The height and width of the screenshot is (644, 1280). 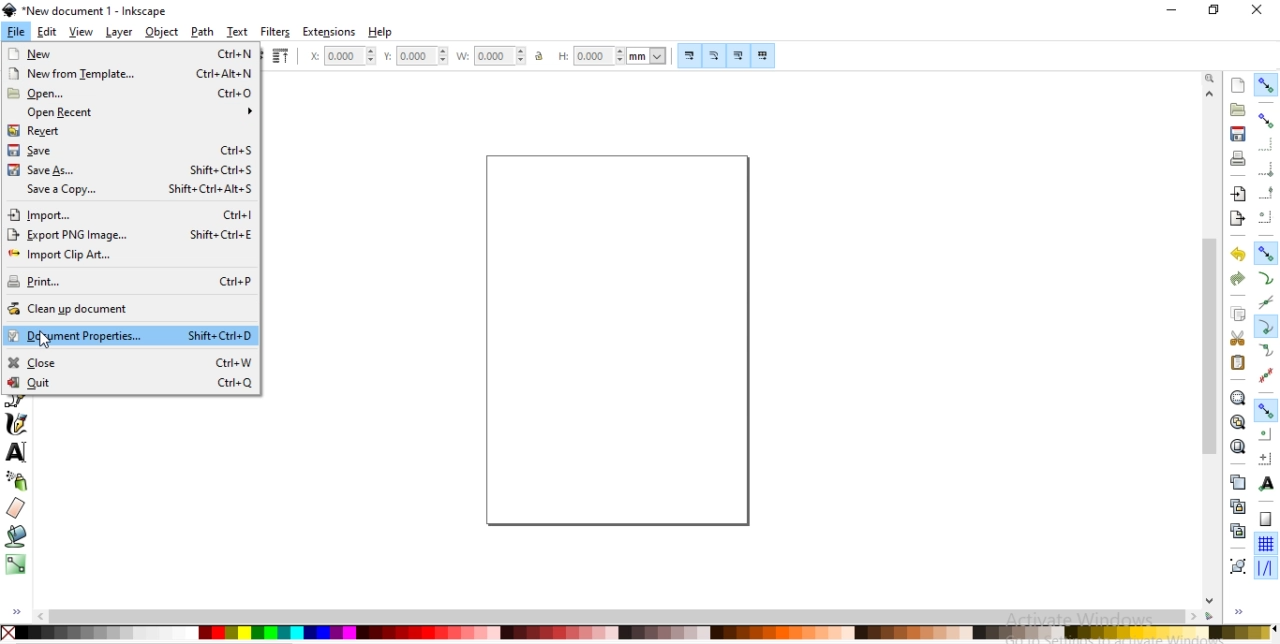 I want to click on enable snapping, so click(x=1265, y=85).